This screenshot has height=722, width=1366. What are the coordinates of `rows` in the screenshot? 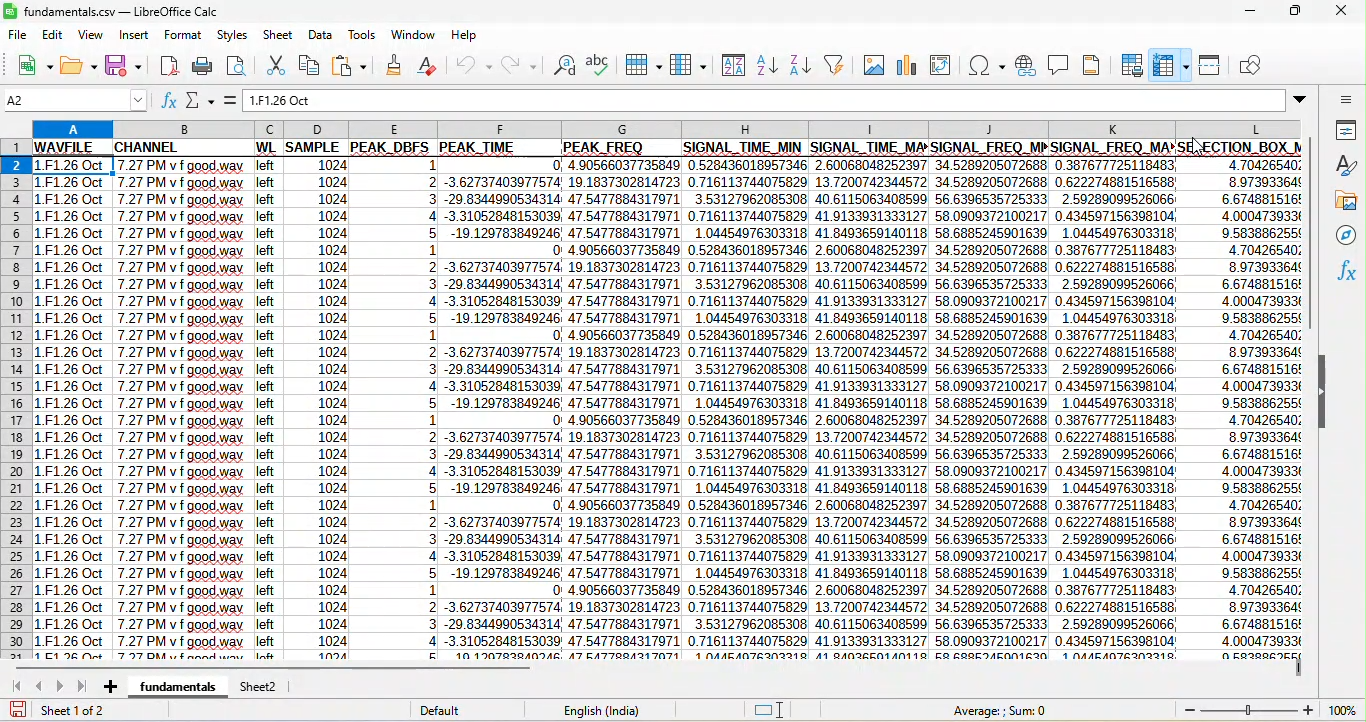 It's located at (643, 64).